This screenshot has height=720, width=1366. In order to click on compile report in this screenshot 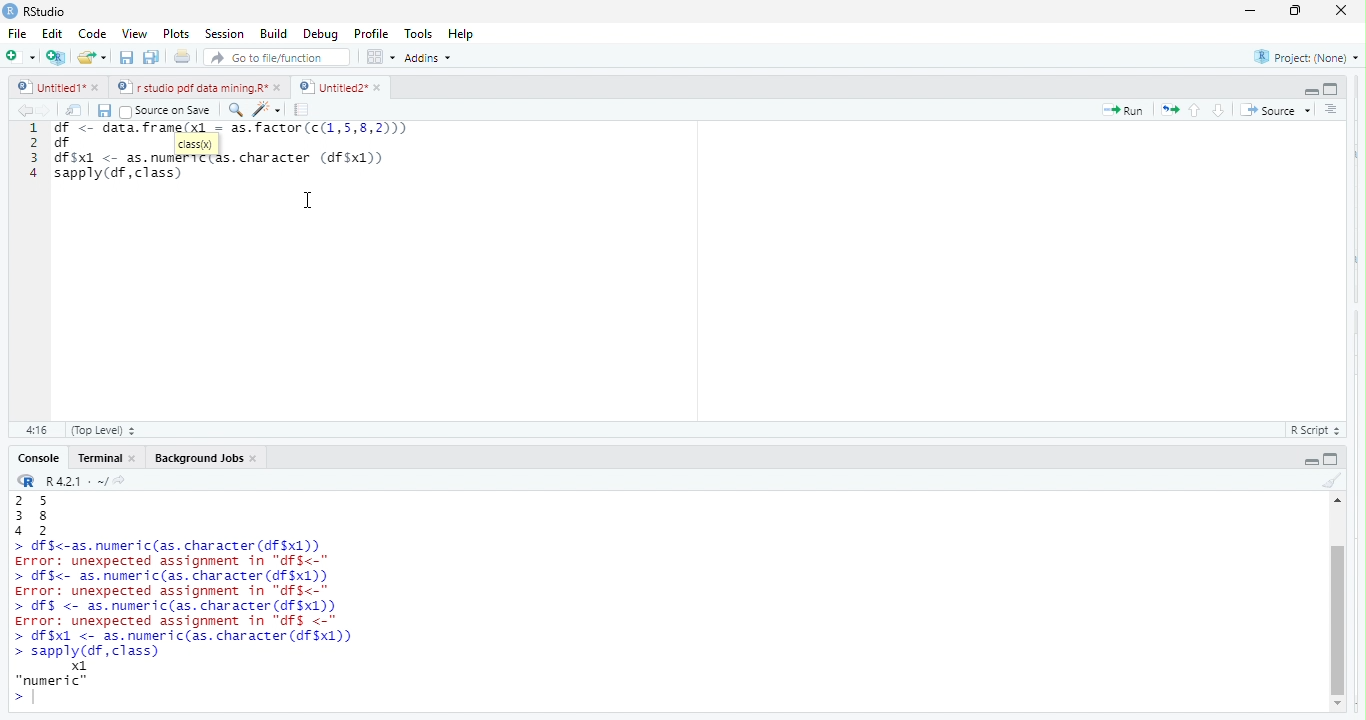, I will do `click(303, 110)`.